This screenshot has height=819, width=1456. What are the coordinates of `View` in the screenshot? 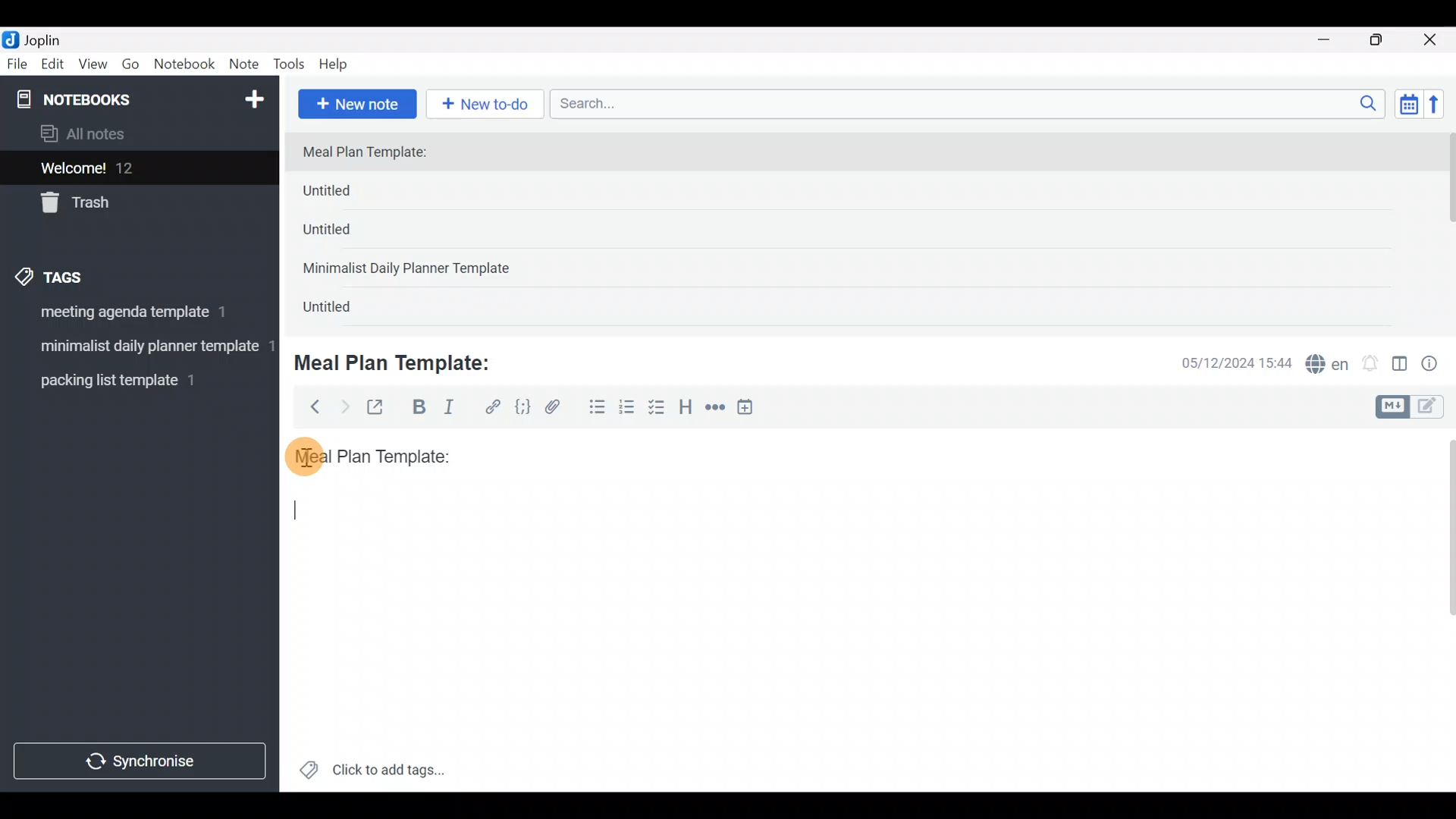 It's located at (93, 67).